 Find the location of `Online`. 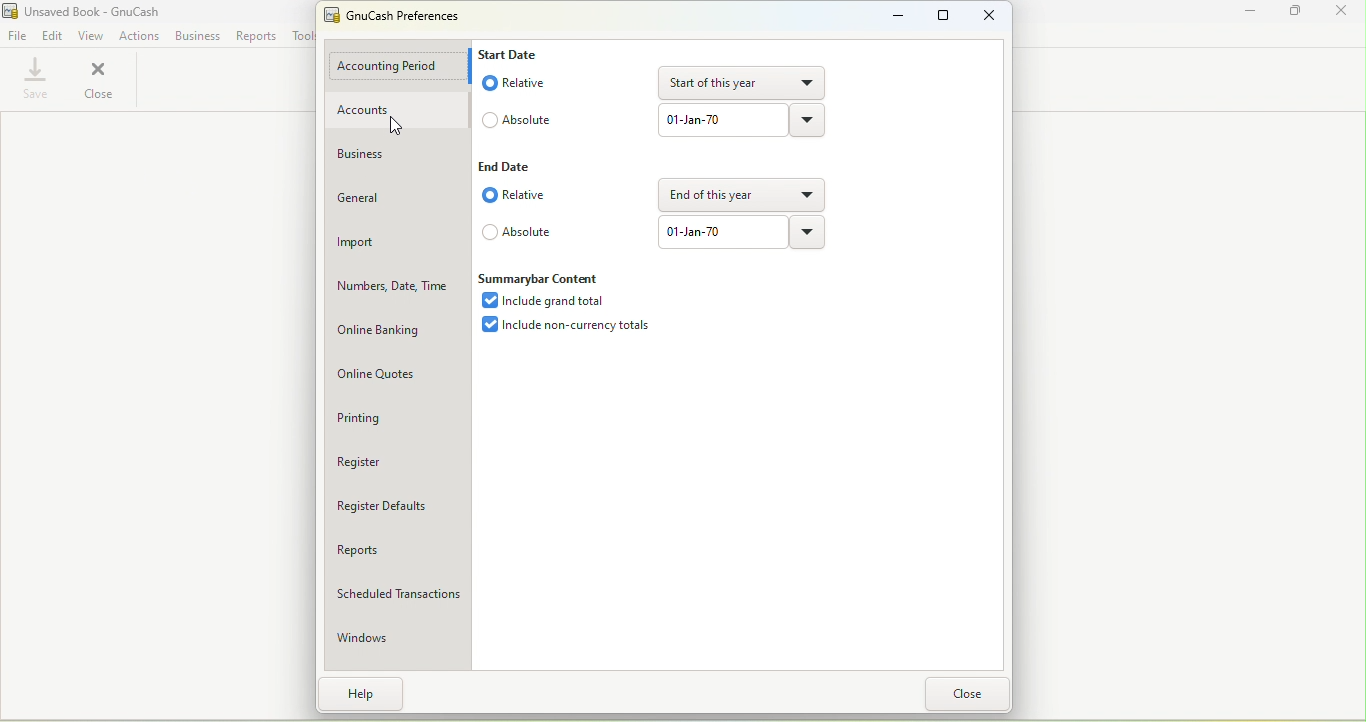

Online is located at coordinates (396, 331).